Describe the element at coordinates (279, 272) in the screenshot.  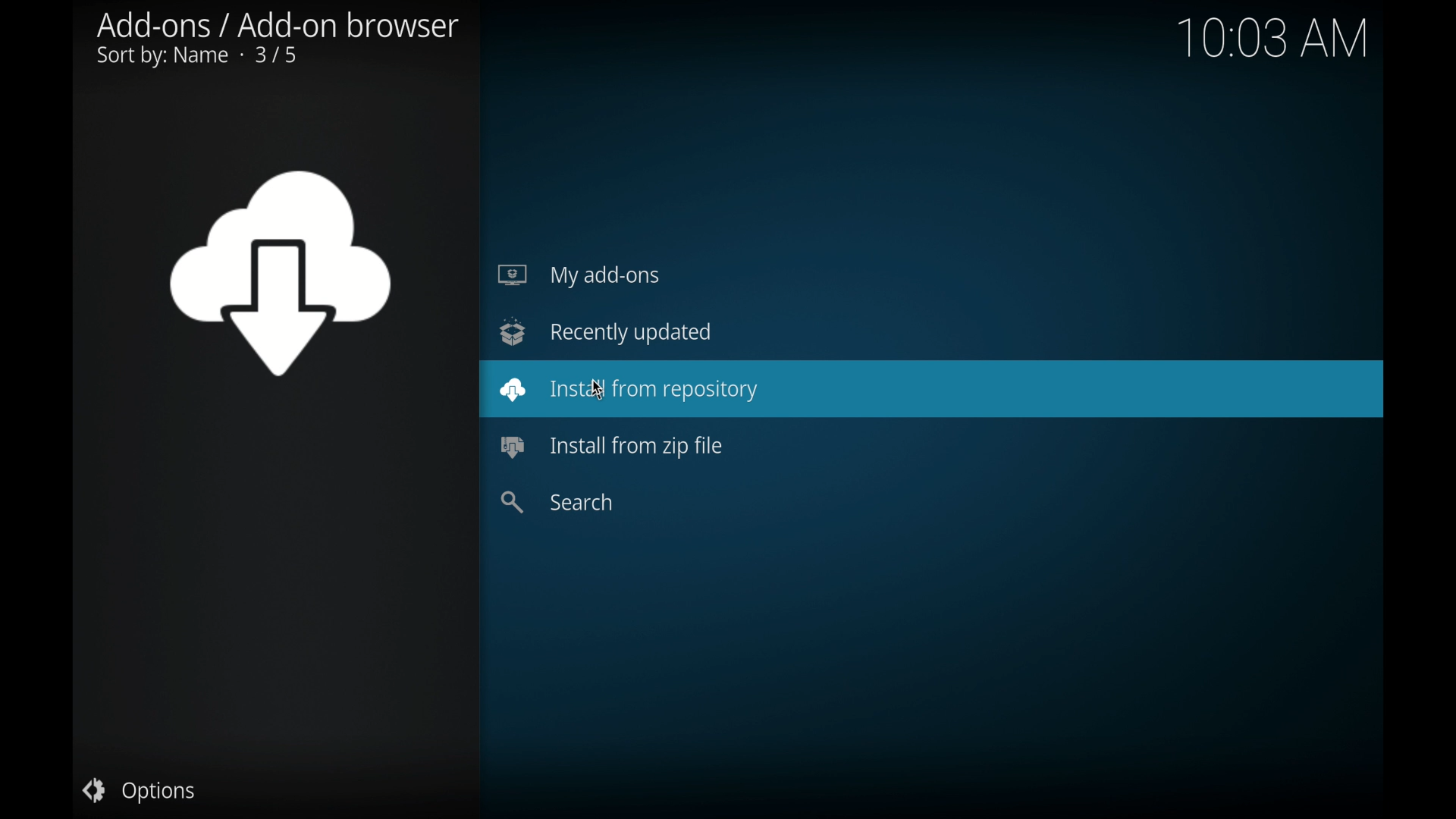
I see `add-ons icon` at that location.